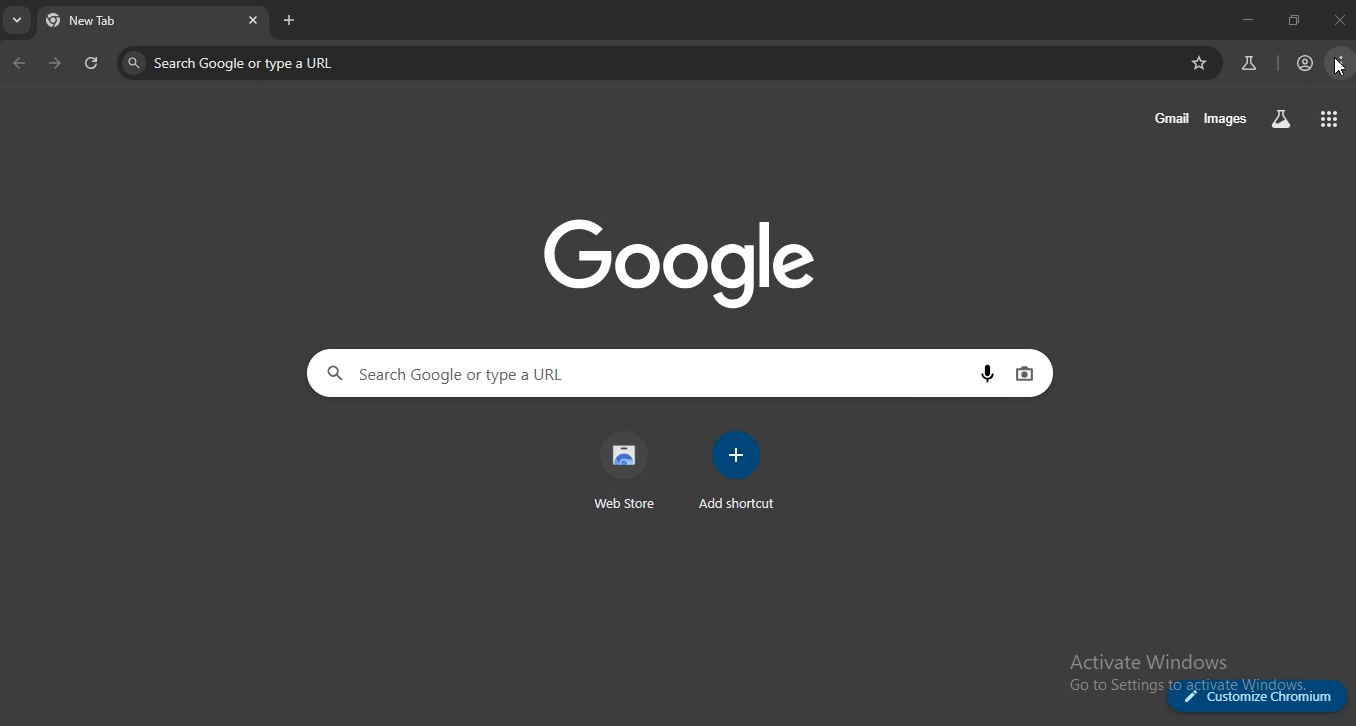  What do you see at coordinates (989, 375) in the screenshot?
I see `voice search` at bounding box center [989, 375].